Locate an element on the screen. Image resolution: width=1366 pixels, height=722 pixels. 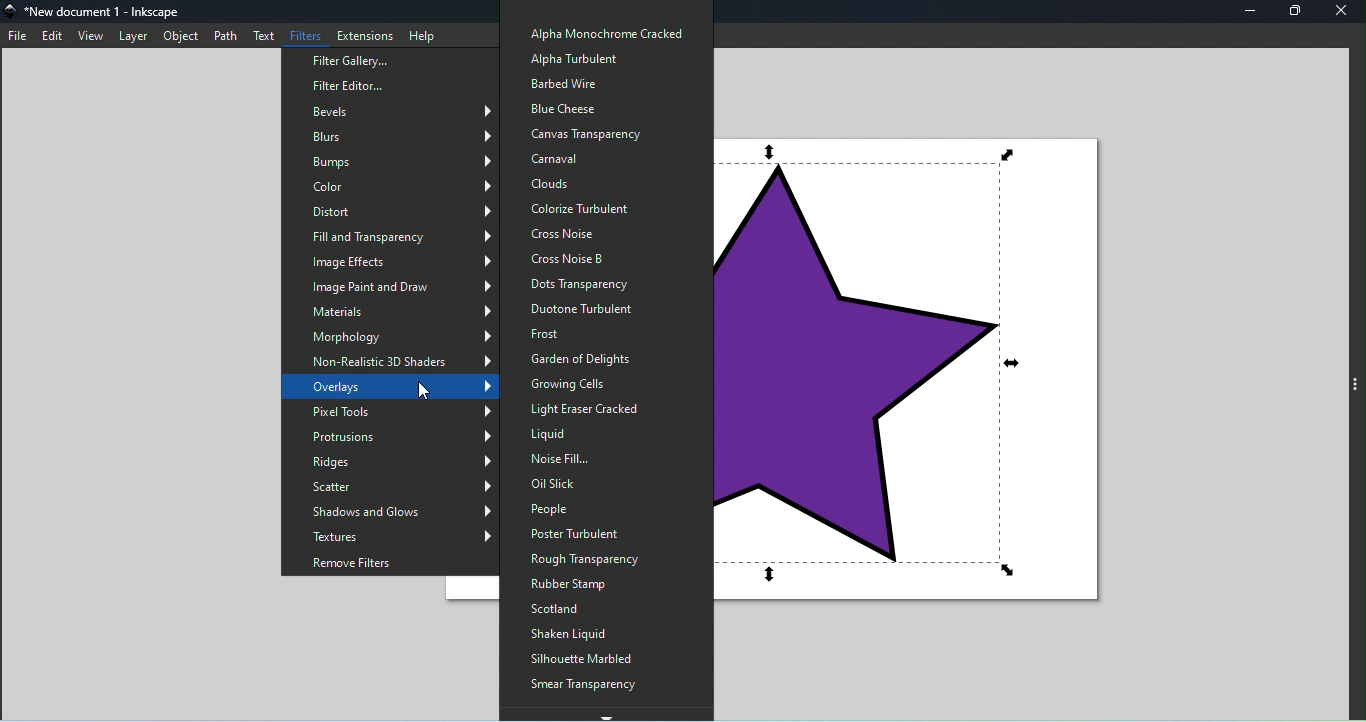
minimize is located at coordinates (1250, 12).